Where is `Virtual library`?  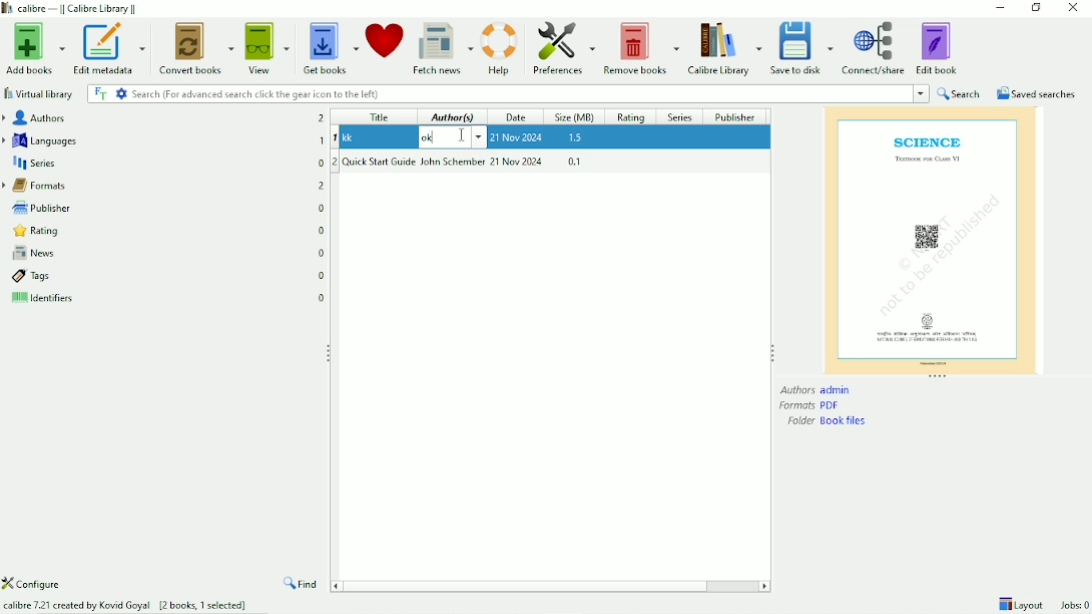 Virtual library is located at coordinates (38, 94).